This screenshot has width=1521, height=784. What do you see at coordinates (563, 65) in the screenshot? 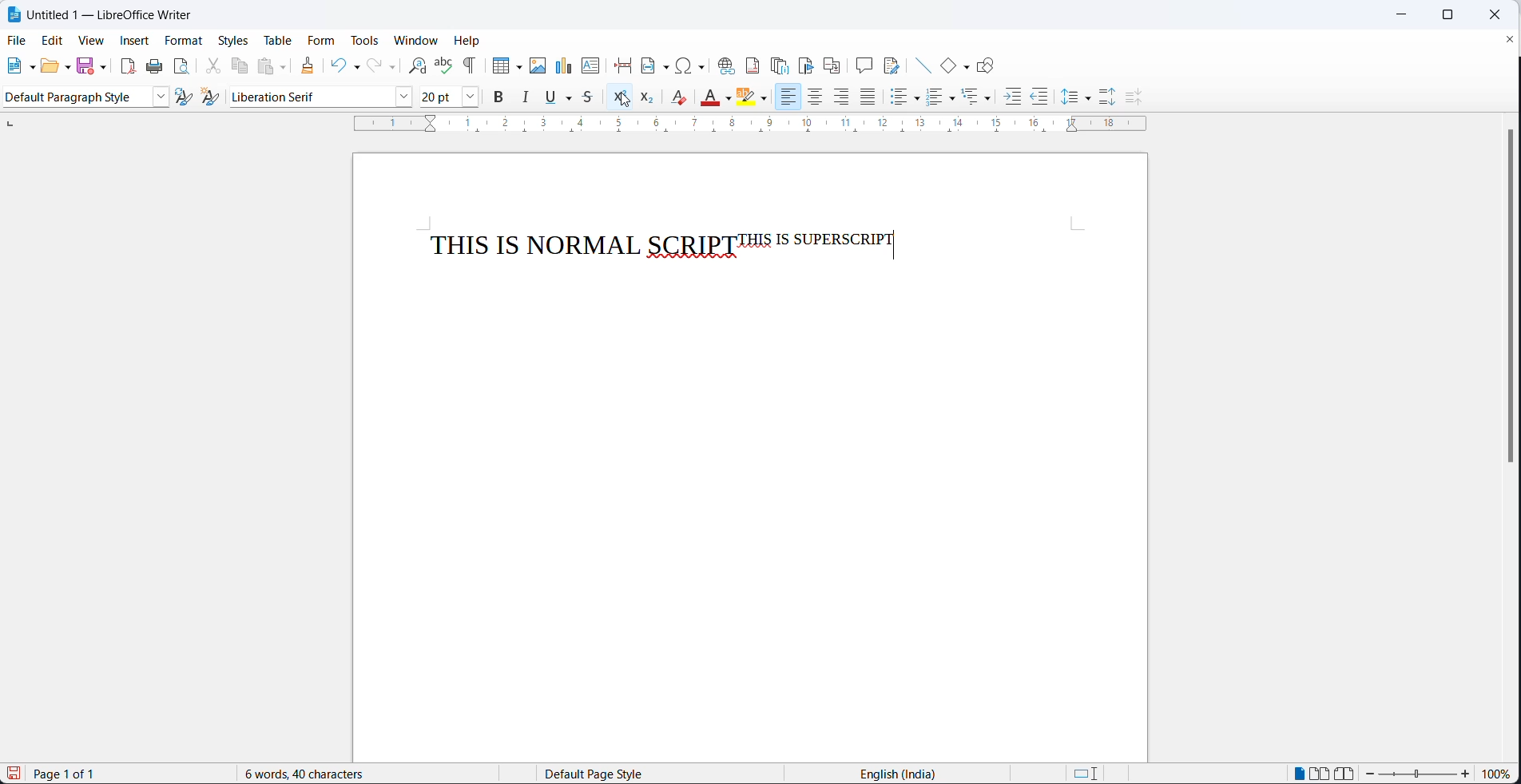
I see `insert chart` at bounding box center [563, 65].